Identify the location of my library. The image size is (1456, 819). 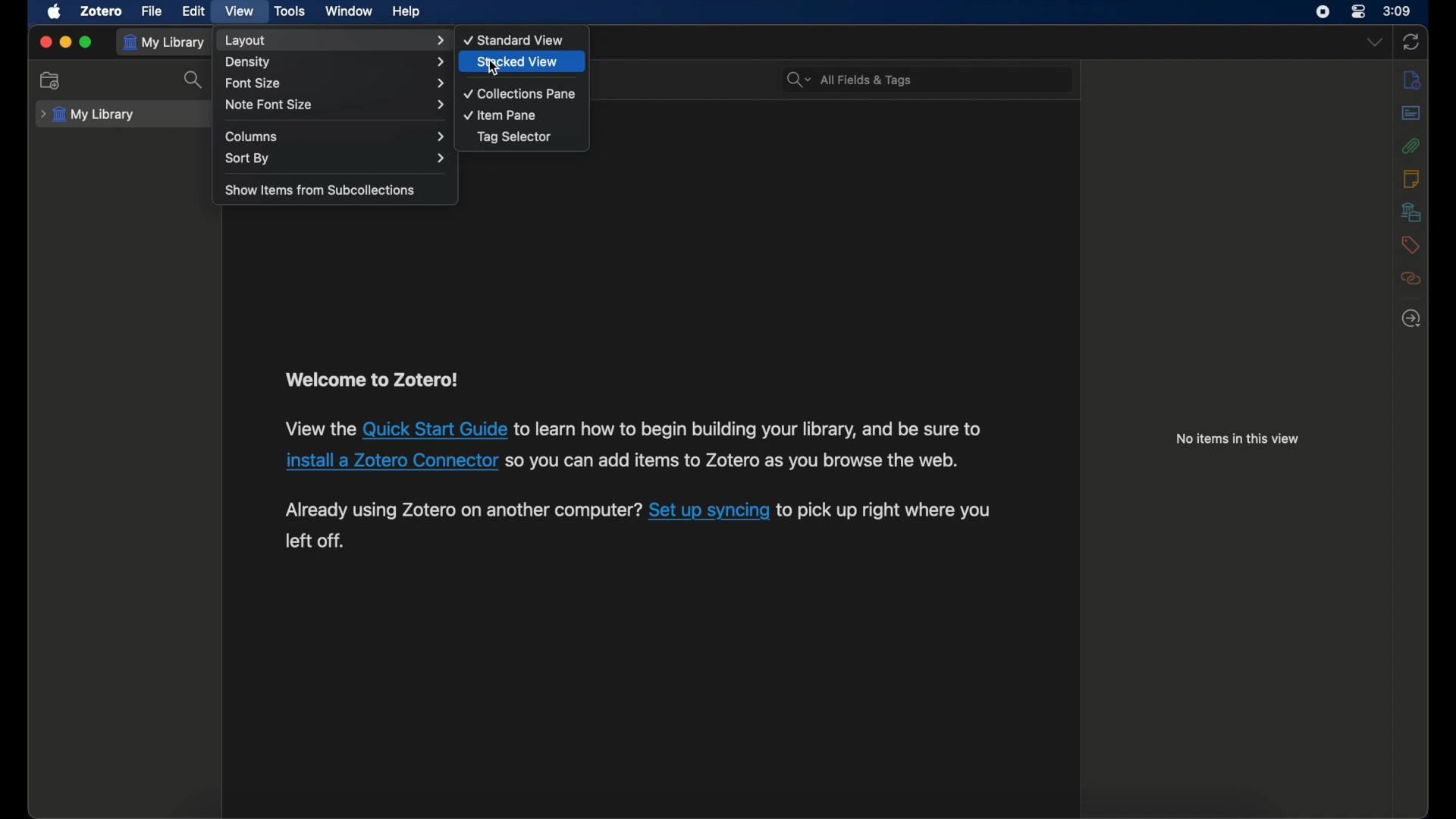
(165, 42).